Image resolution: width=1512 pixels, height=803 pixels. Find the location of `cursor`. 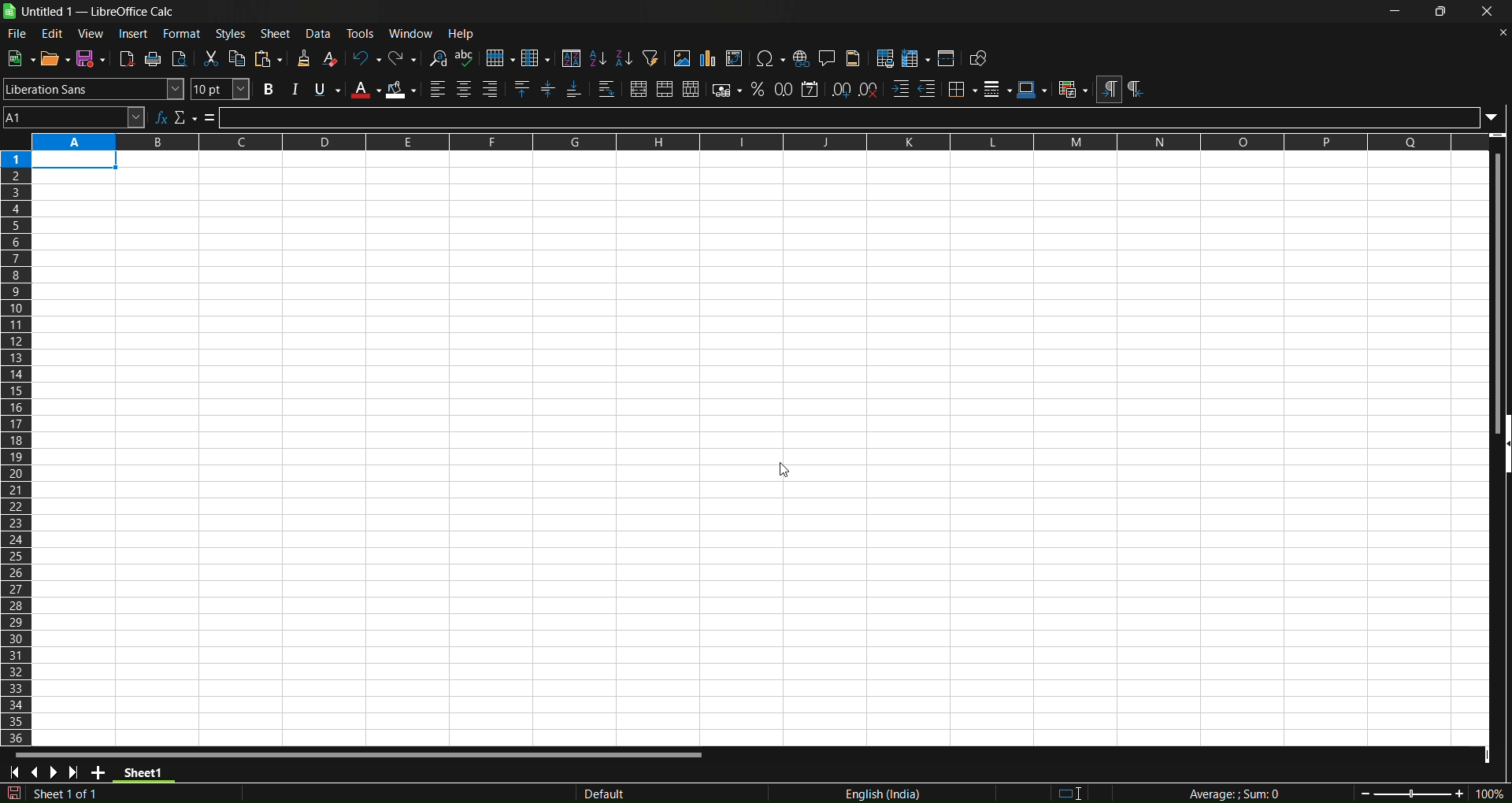

cursor is located at coordinates (783, 468).